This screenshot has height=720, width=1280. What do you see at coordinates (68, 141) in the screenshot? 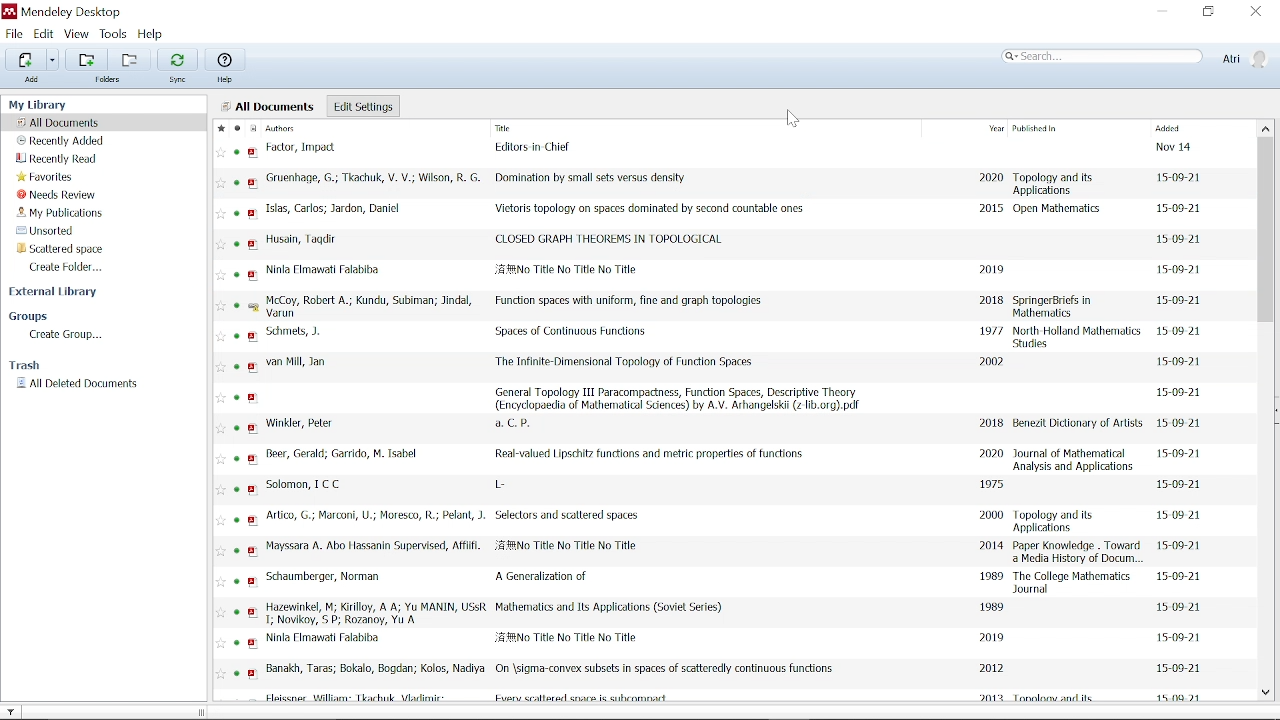
I see `Recently added ` at bounding box center [68, 141].